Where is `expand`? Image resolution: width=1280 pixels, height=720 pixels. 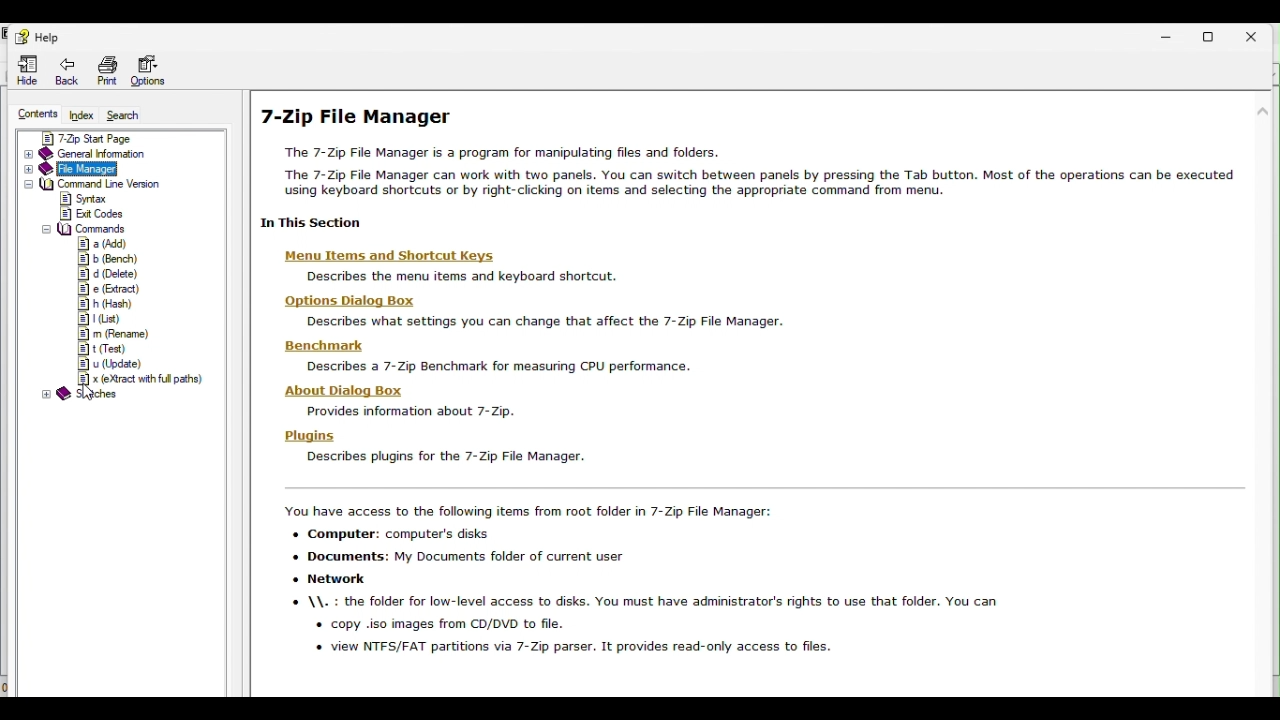 expand is located at coordinates (25, 186).